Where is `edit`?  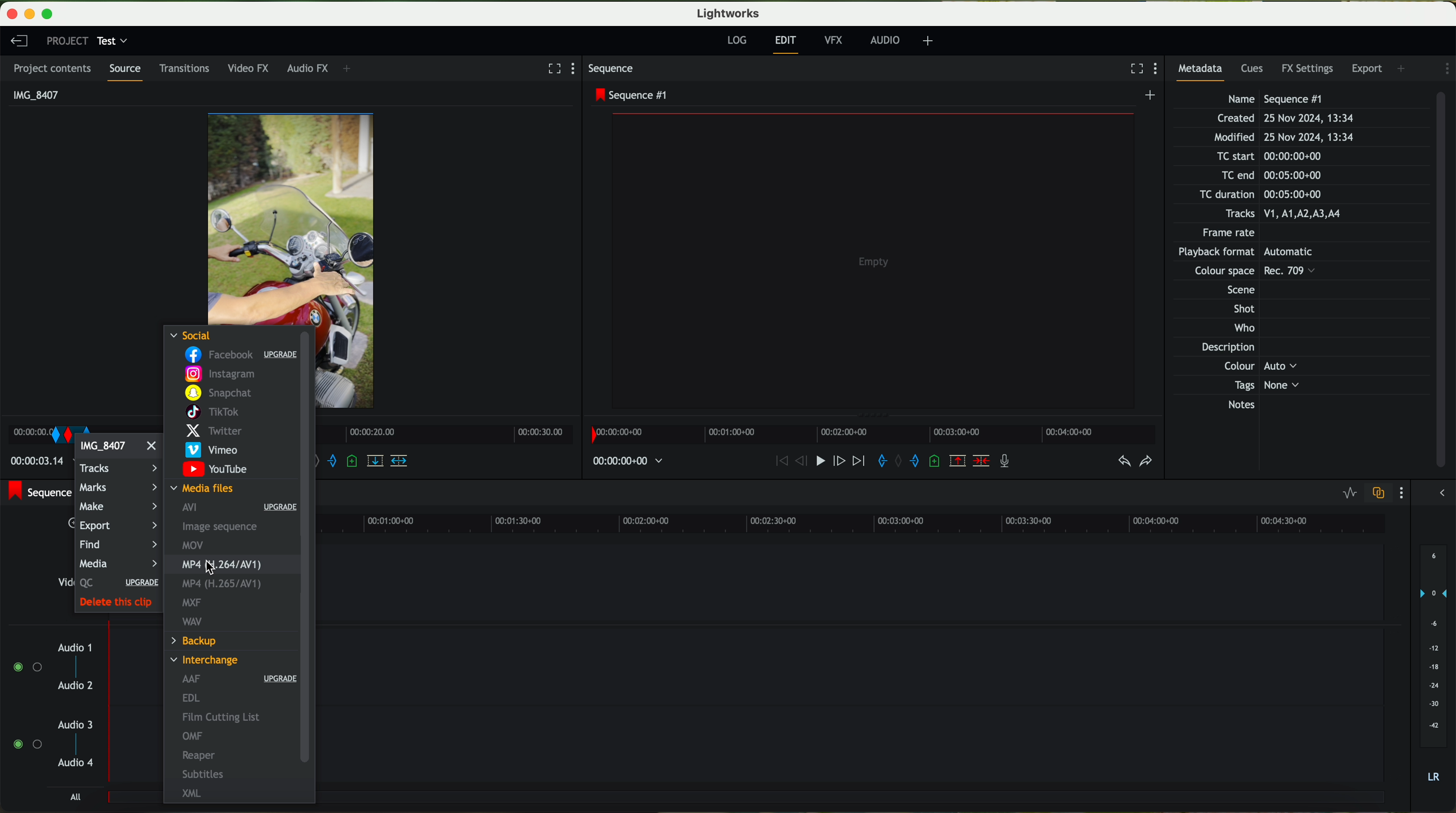 edit is located at coordinates (787, 44).